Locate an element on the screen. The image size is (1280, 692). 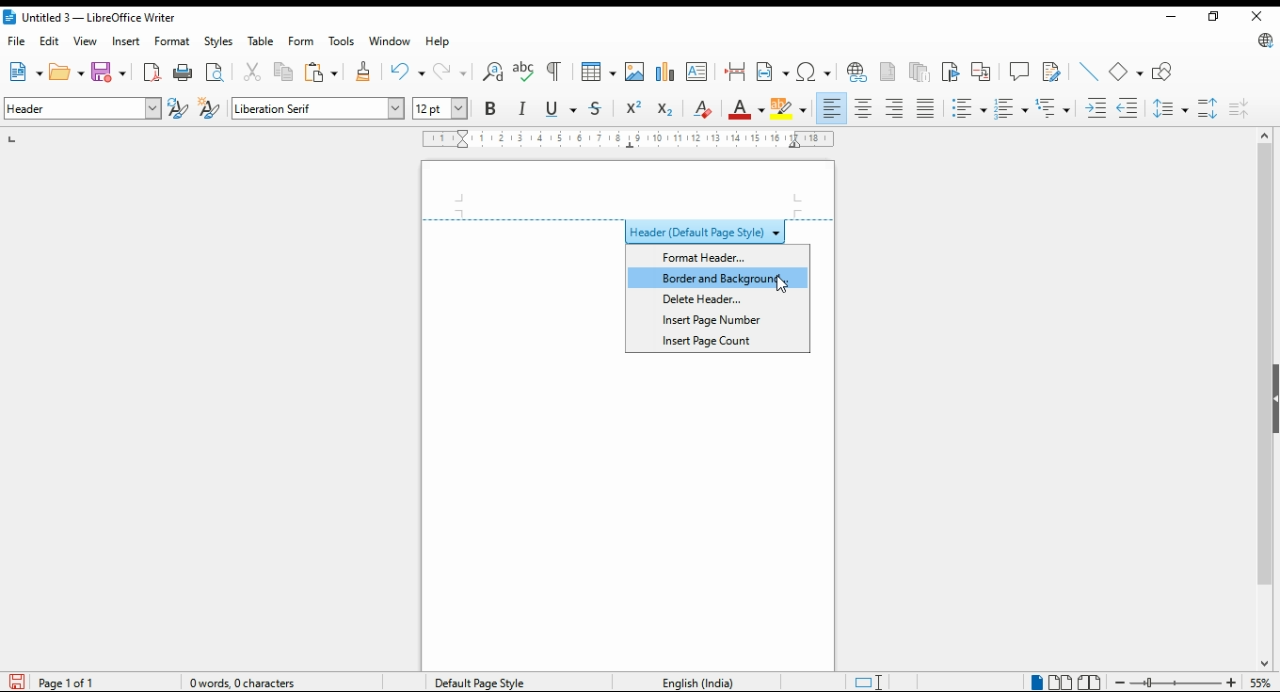
update selected style is located at coordinates (179, 108).